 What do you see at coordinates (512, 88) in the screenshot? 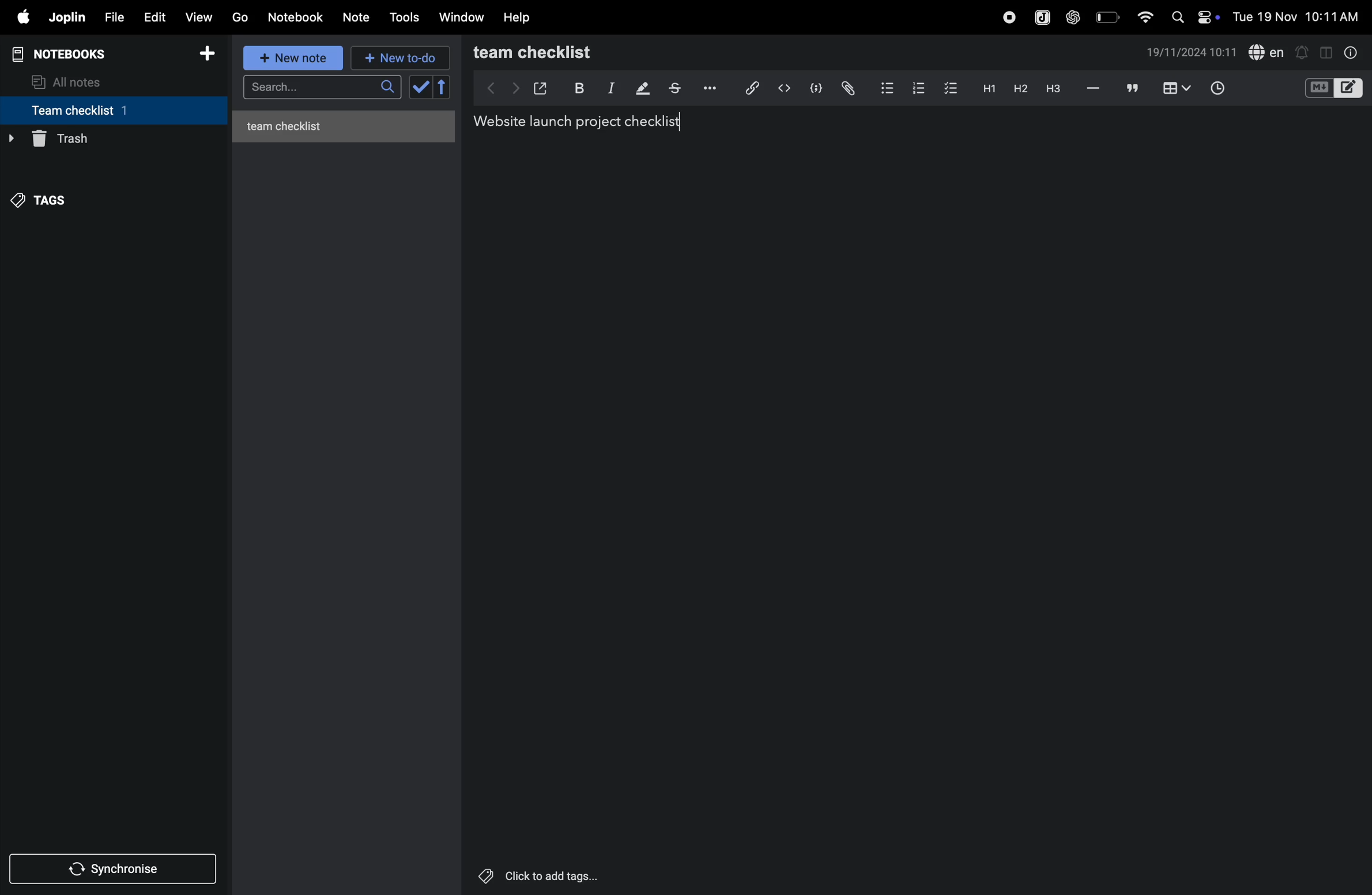
I see `forward` at bounding box center [512, 88].